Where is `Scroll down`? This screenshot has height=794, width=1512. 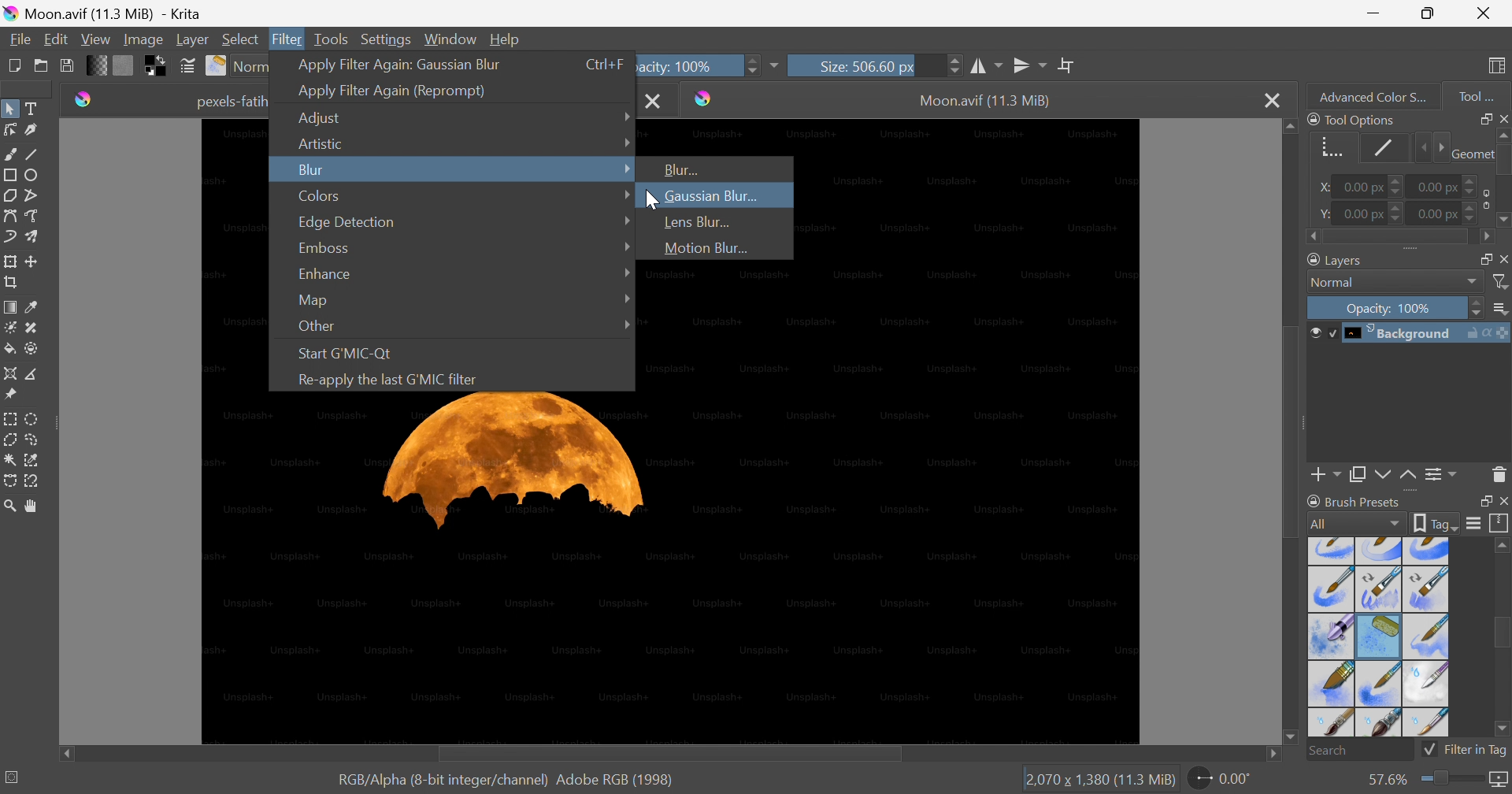
Scroll down is located at coordinates (1503, 731).